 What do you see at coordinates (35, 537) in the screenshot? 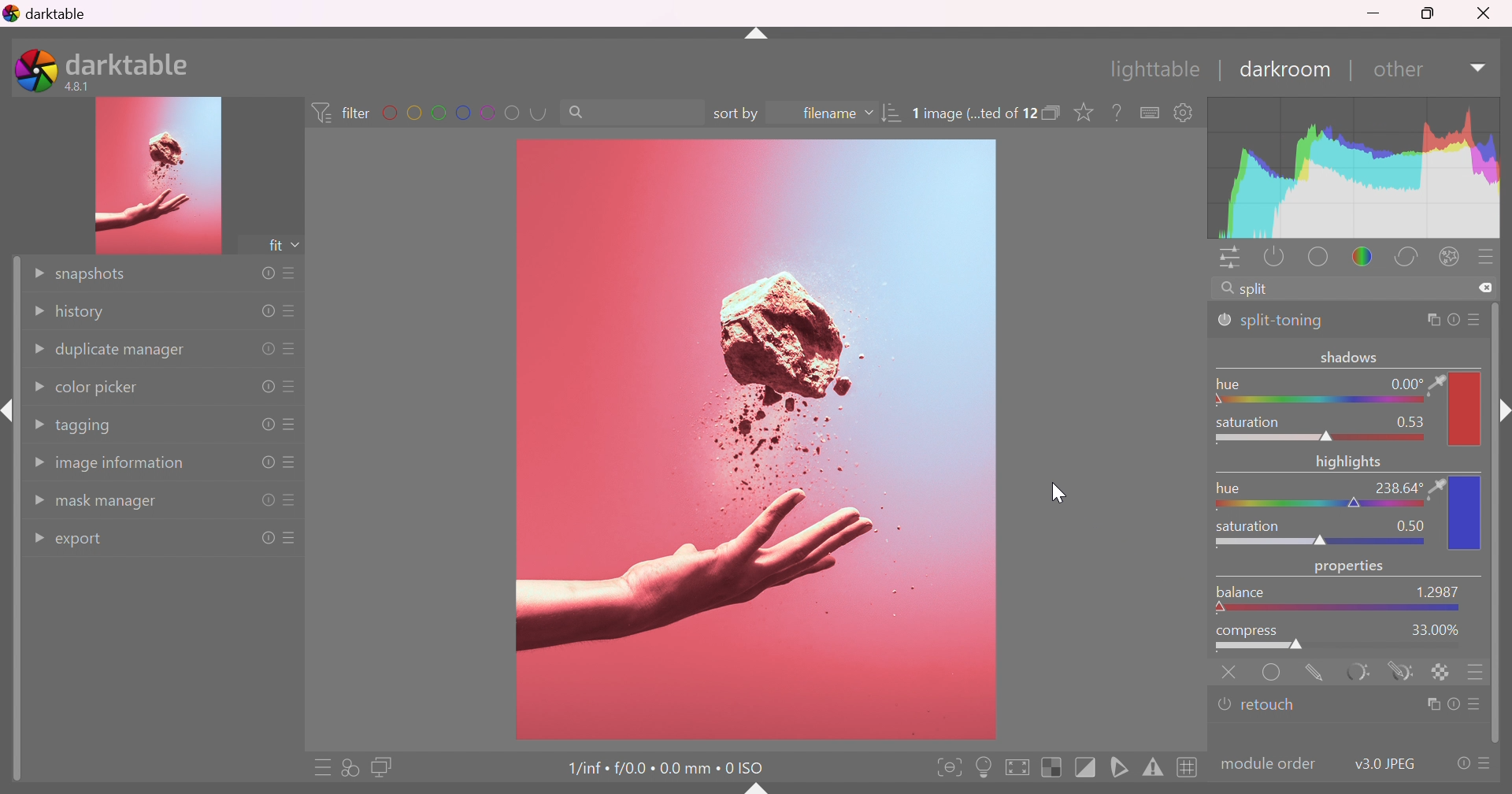
I see `Drop Down` at bounding box center [35, 537].